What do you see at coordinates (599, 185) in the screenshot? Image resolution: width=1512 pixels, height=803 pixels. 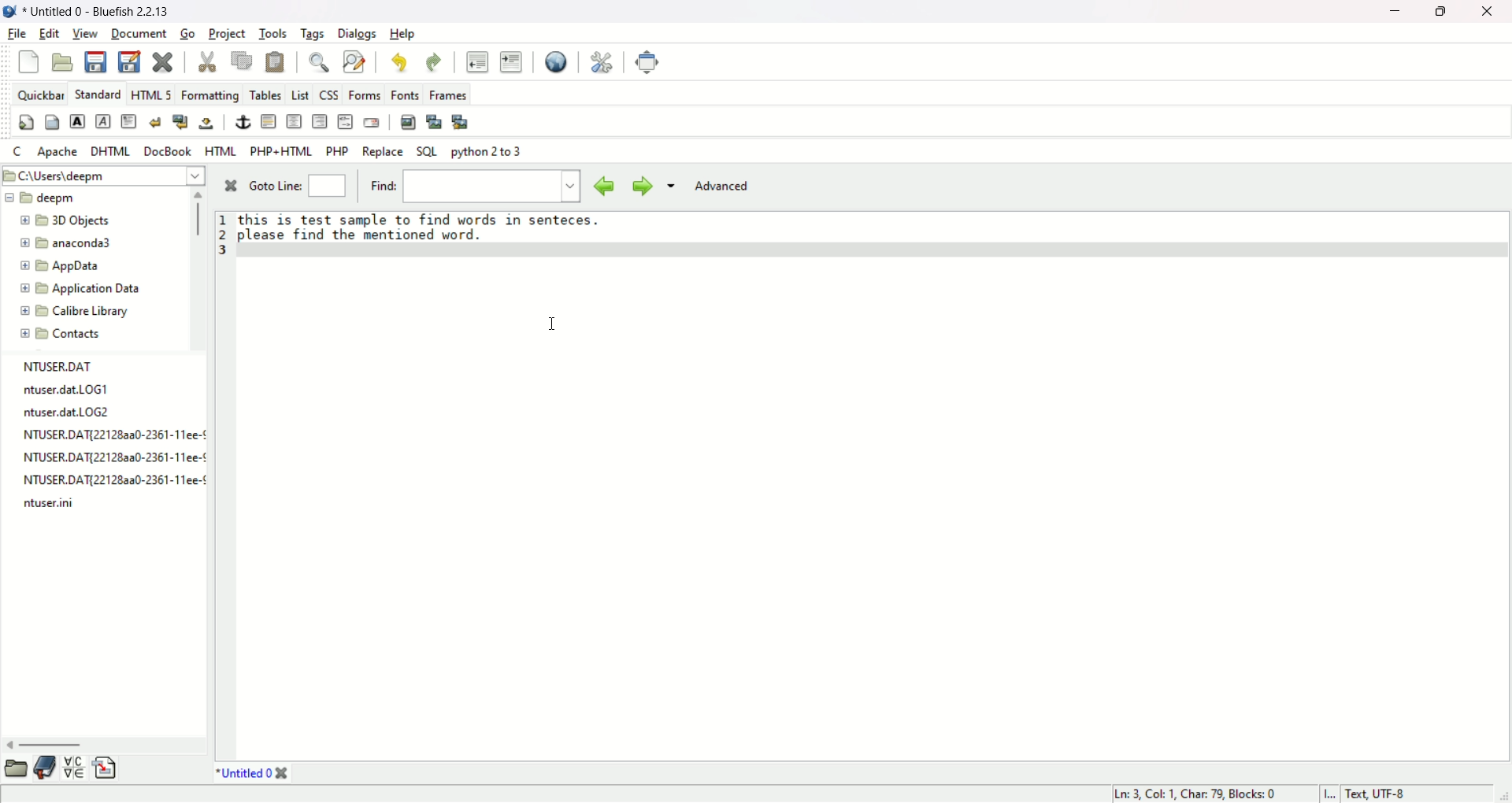 I see `previous` at bounding box center [599, 185].